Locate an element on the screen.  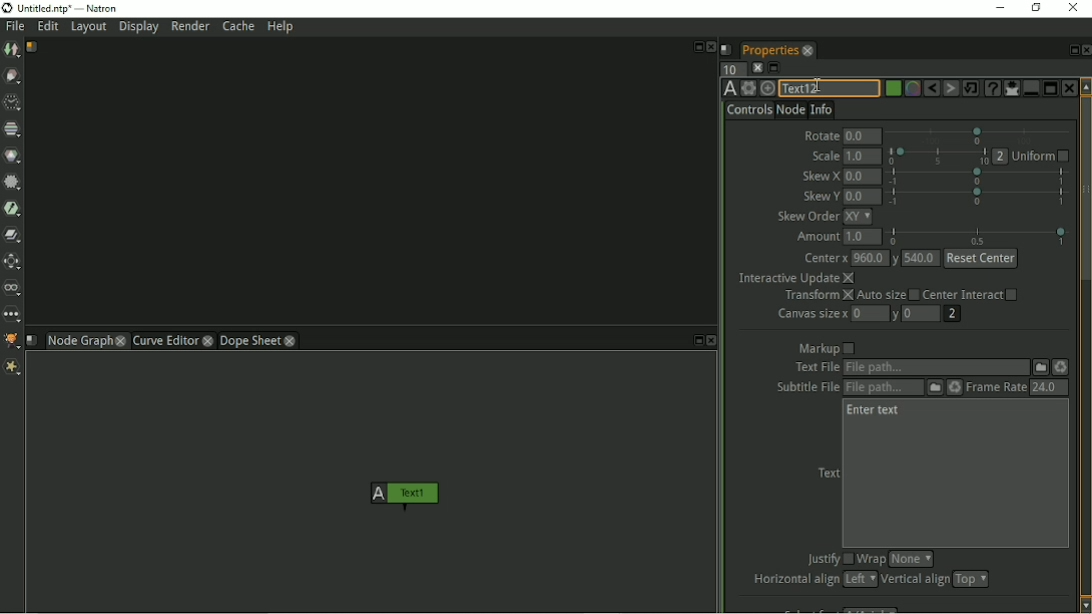
Minimize is located at coordinates (1029, 88).